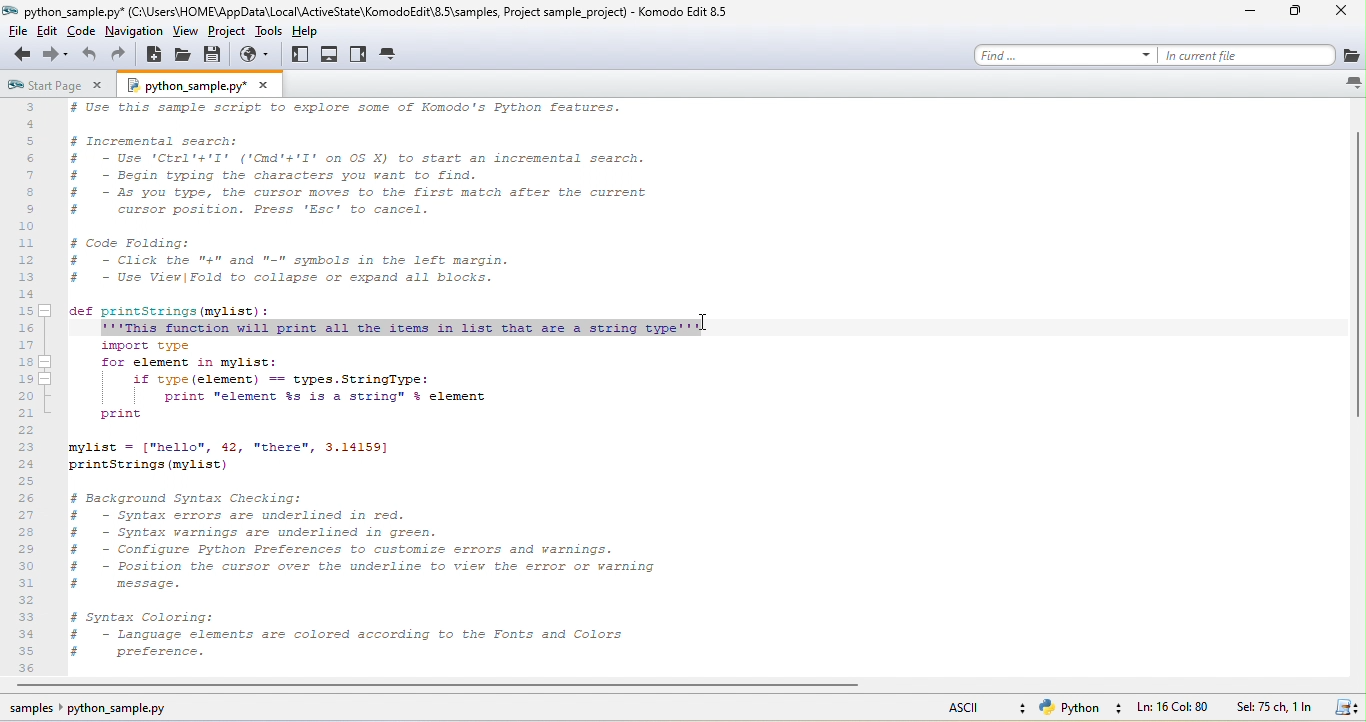 The image size is (1366, 722). What do you see at coordinates (17, 32) in the screenshot?
I see `file` at bounding box center [17, 32].